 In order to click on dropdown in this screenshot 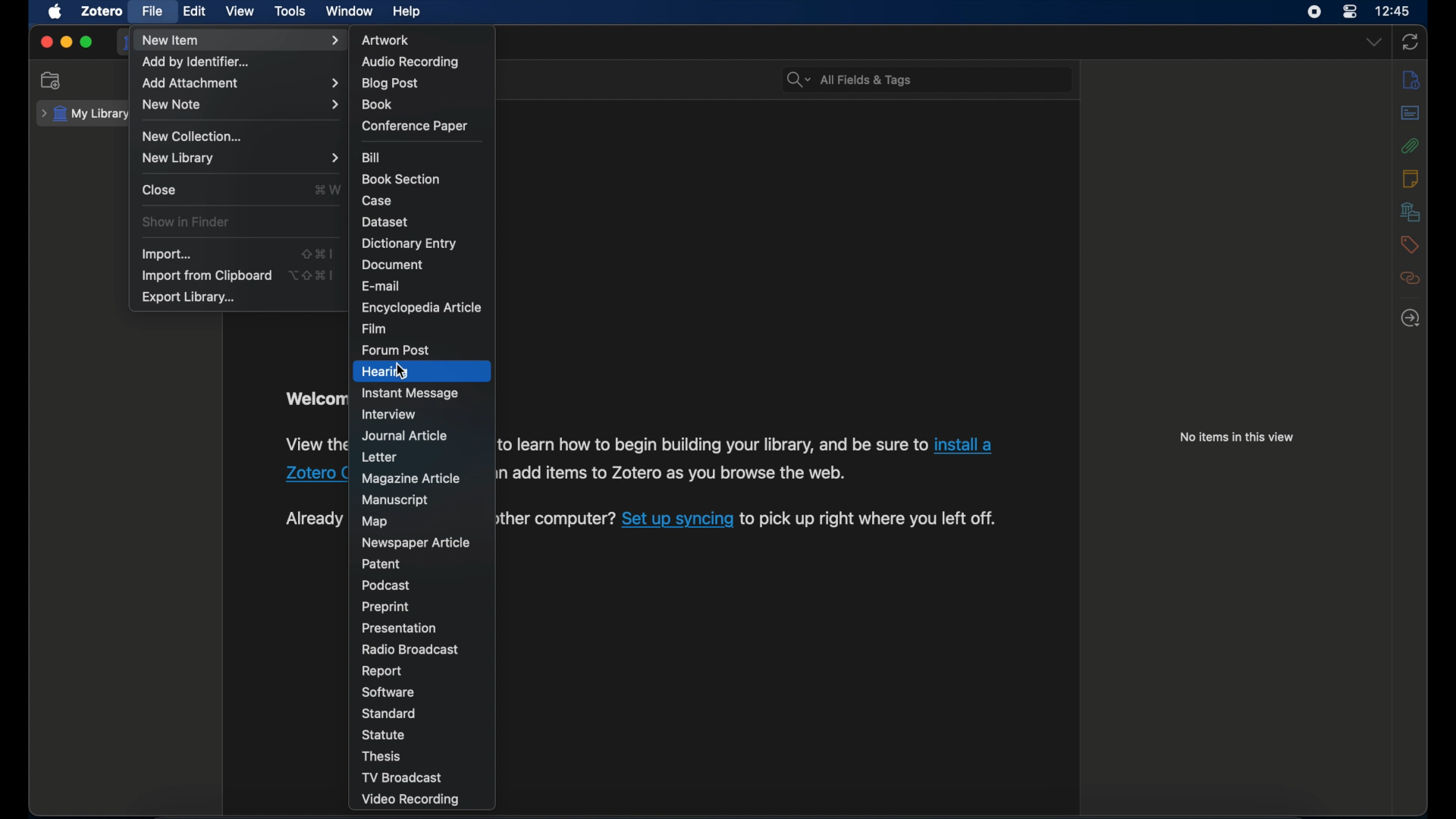, I will do `click(1374, 41)`.